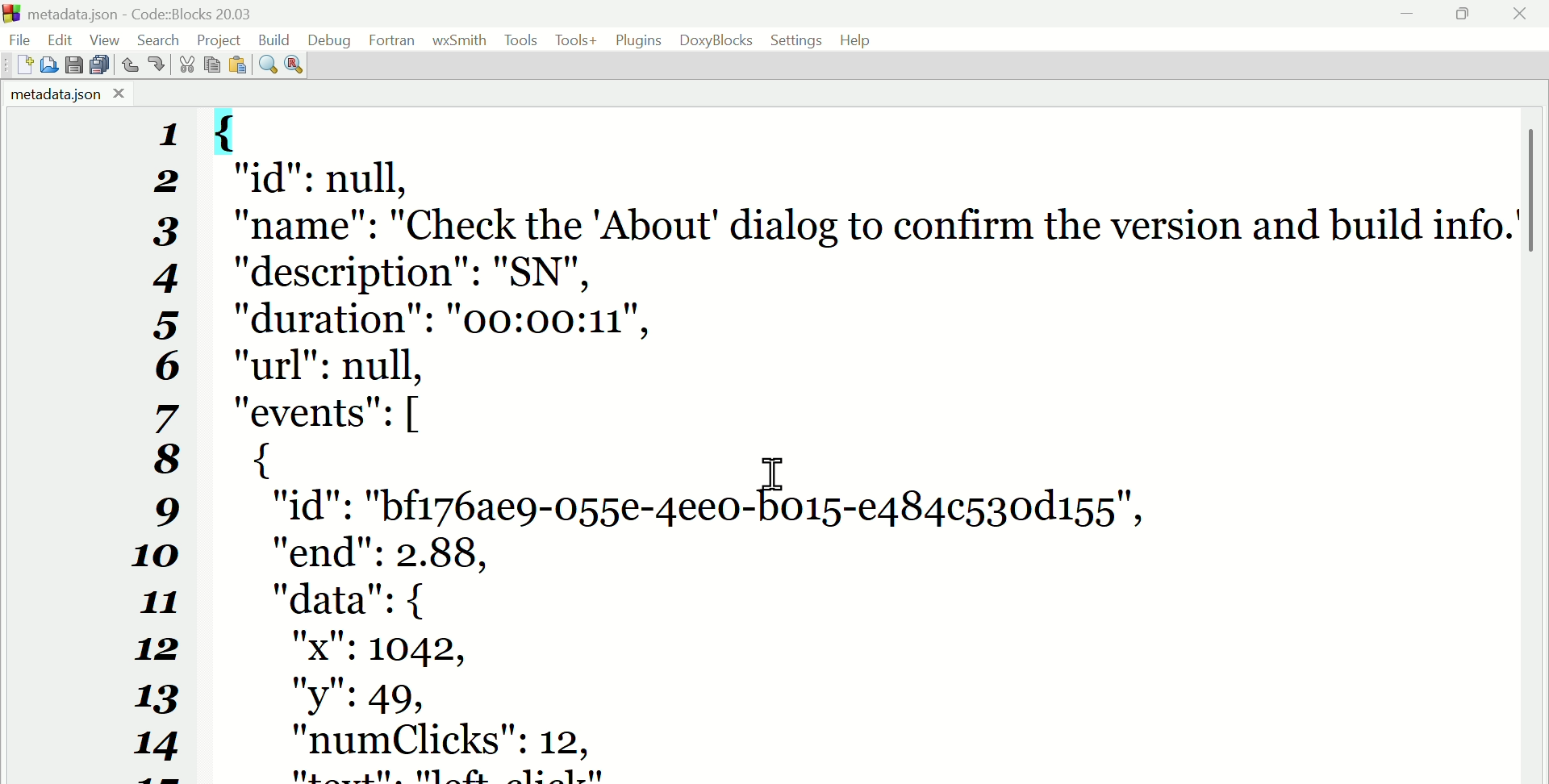 The height and width of the screenshot is (784, 1549). What do you see at coordinates (392, 40) in the screenshot?
I see `Fortran` at bounding box center [392, 40].